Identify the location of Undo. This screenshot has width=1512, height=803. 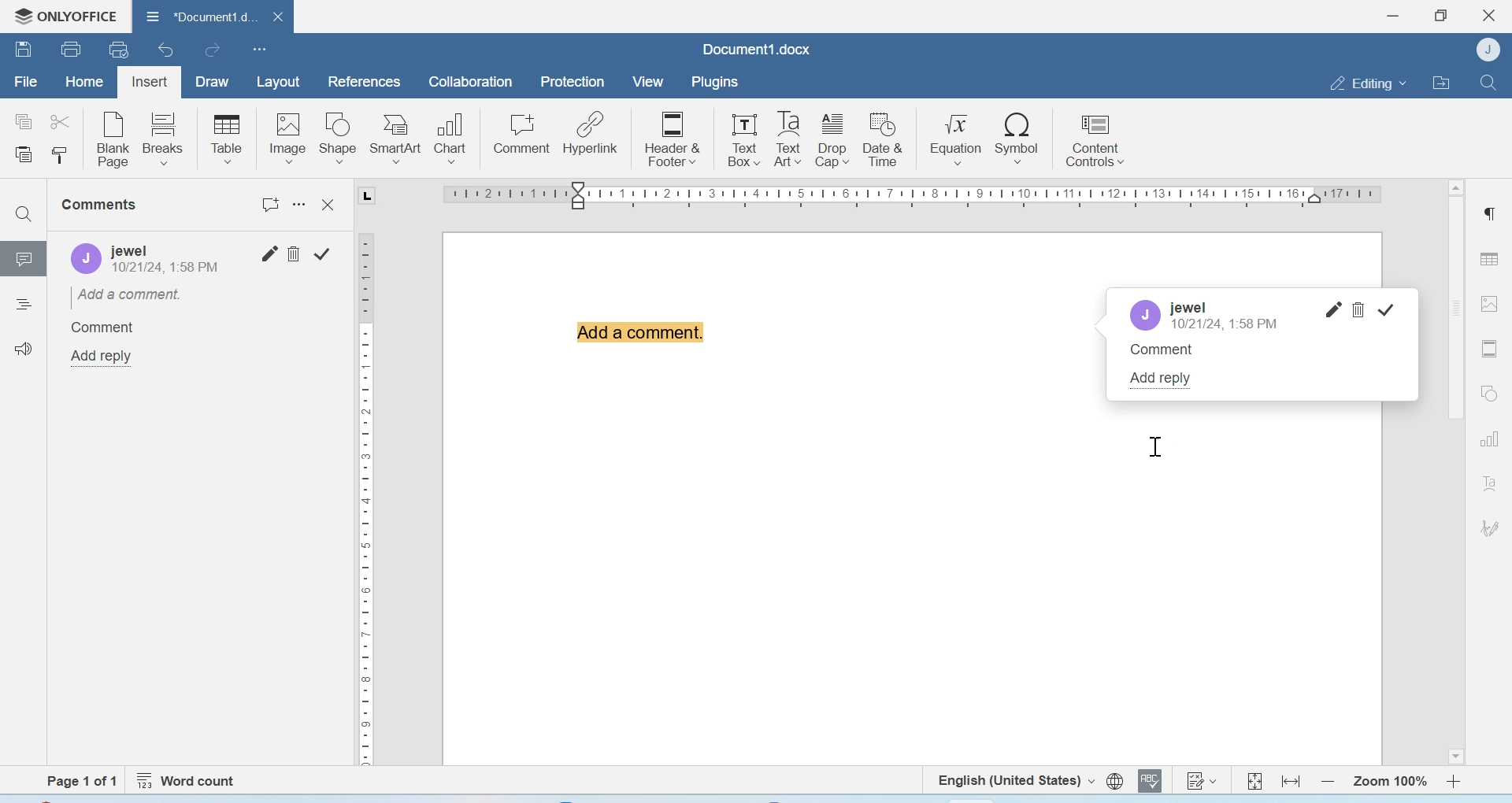
(168, 50).